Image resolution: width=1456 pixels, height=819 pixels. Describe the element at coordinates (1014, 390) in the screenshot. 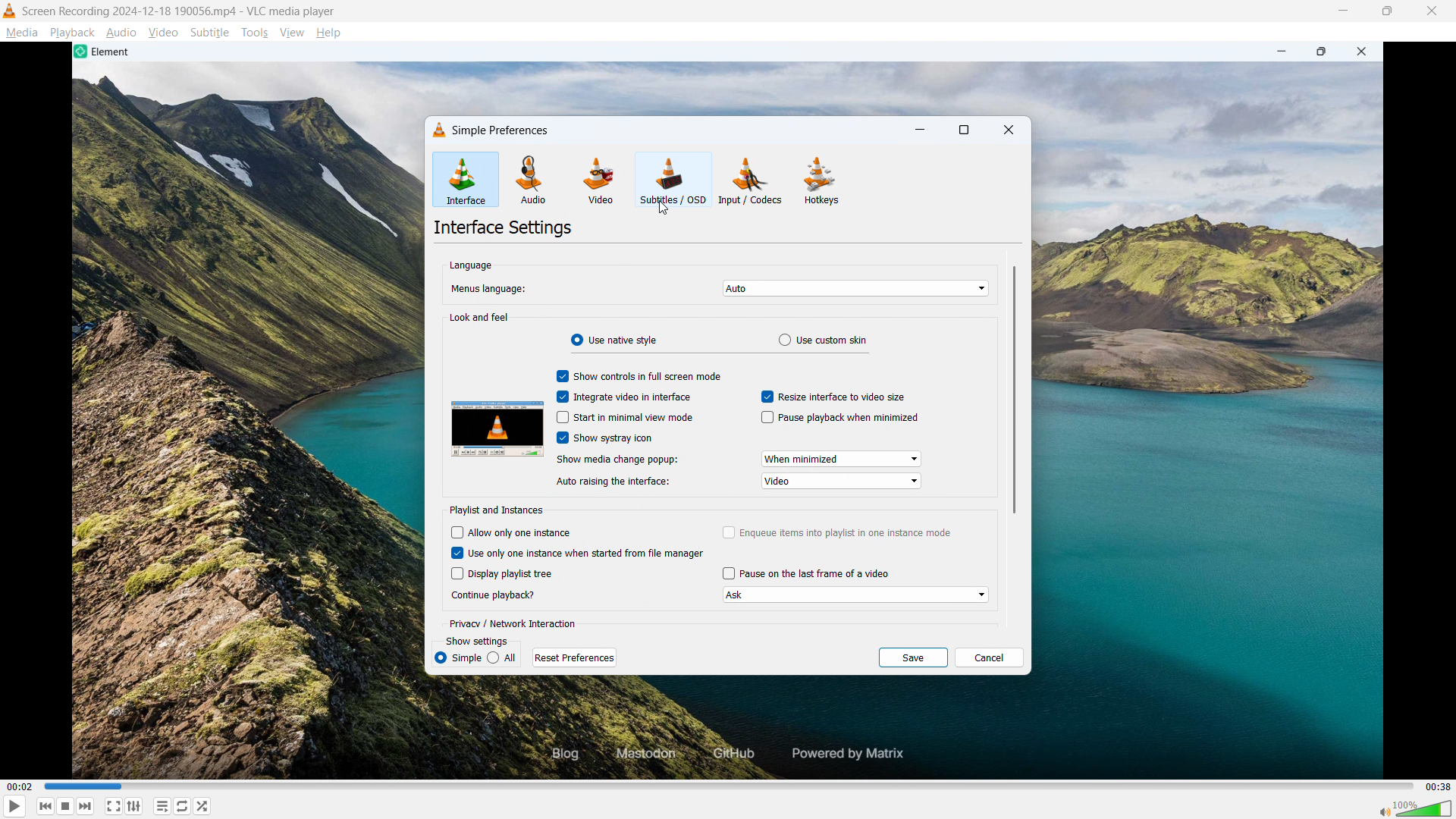

I see `Vertical scroll bar ` at that location.